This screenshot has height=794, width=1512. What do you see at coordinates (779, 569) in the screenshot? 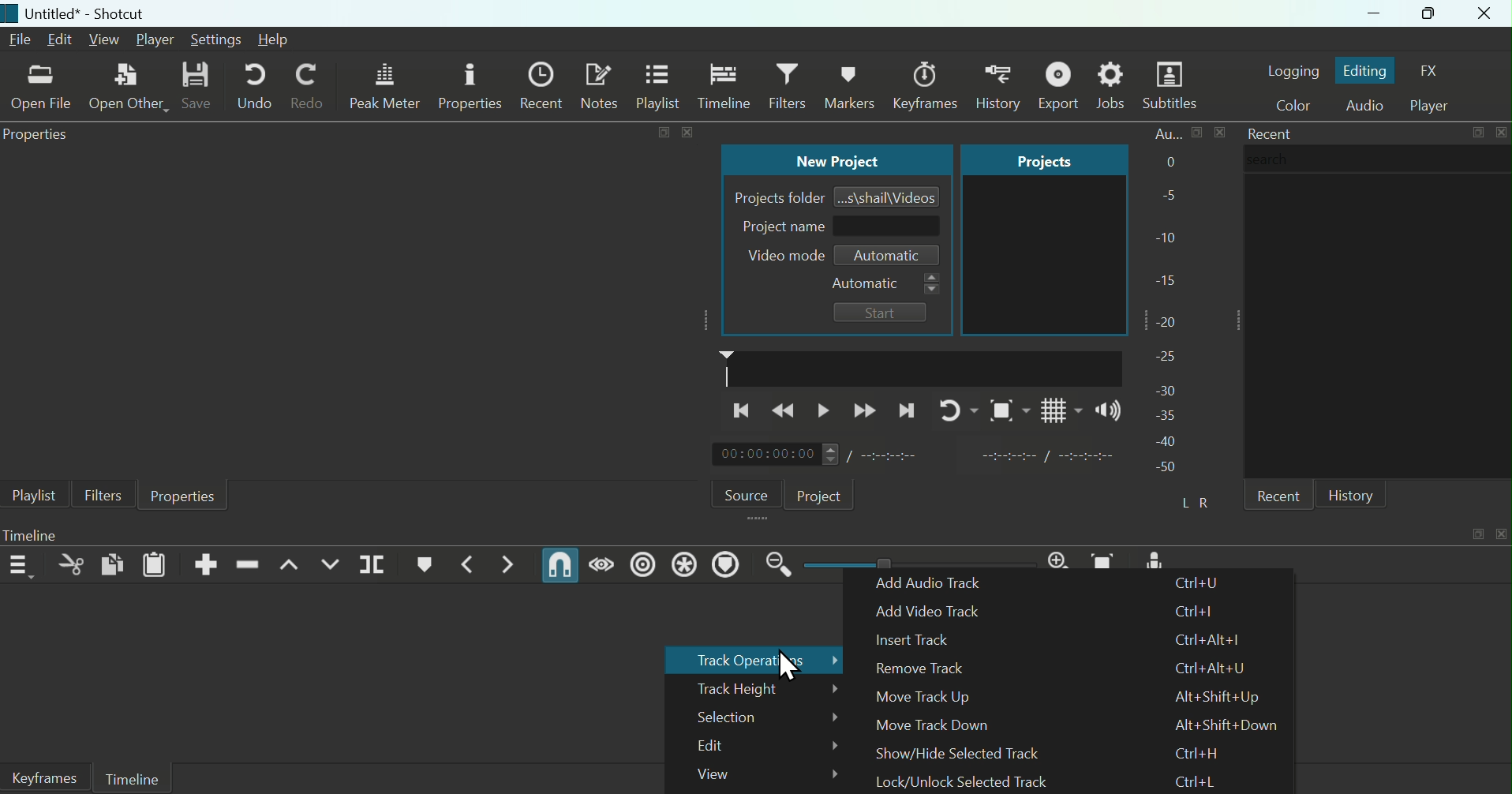
I see `Zoom Timeline out` at bounding box center [779, 569].